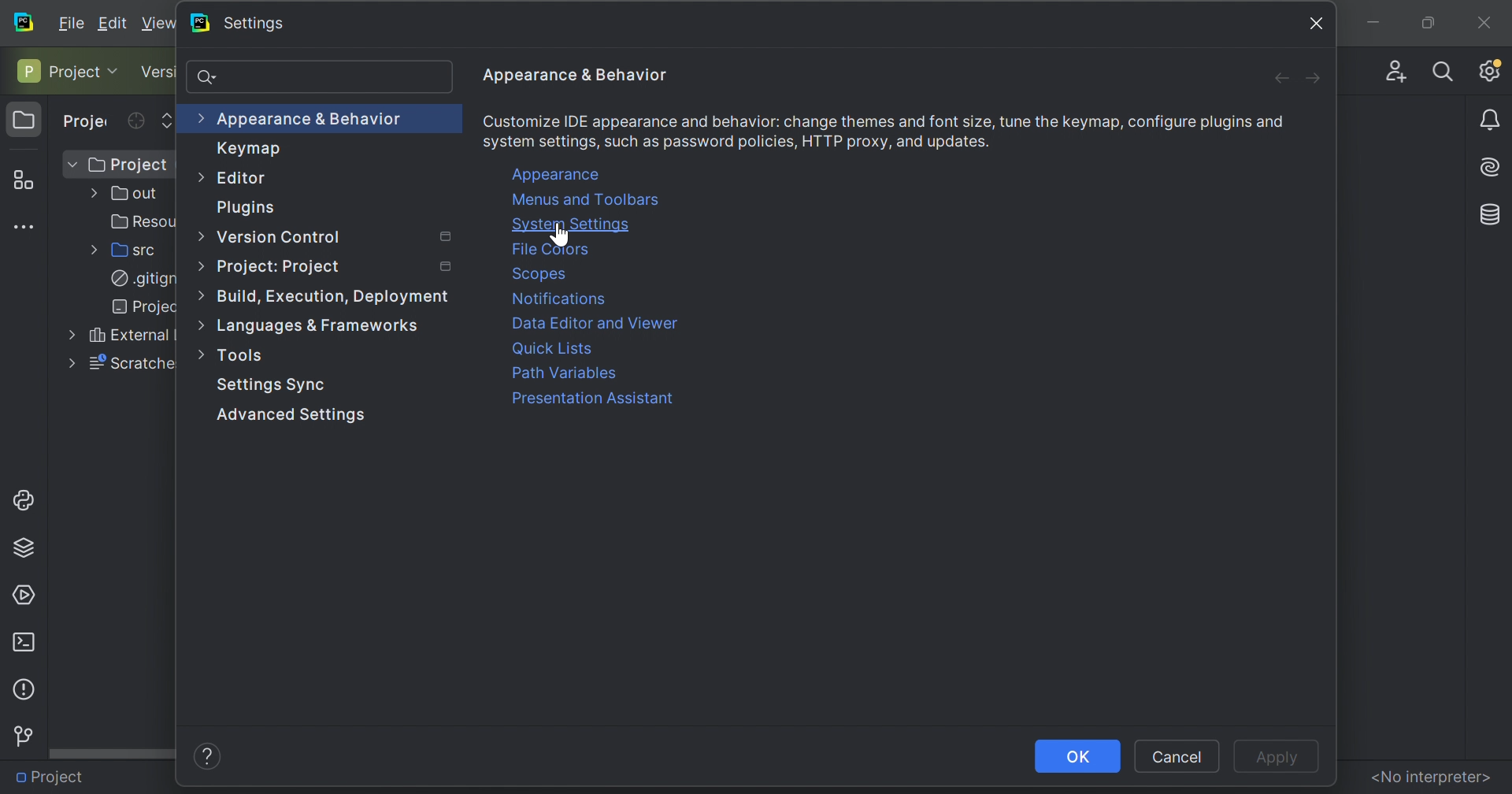 The width and height of the screenshot is (1512, 794). I want to click on More, so click(198, 325).